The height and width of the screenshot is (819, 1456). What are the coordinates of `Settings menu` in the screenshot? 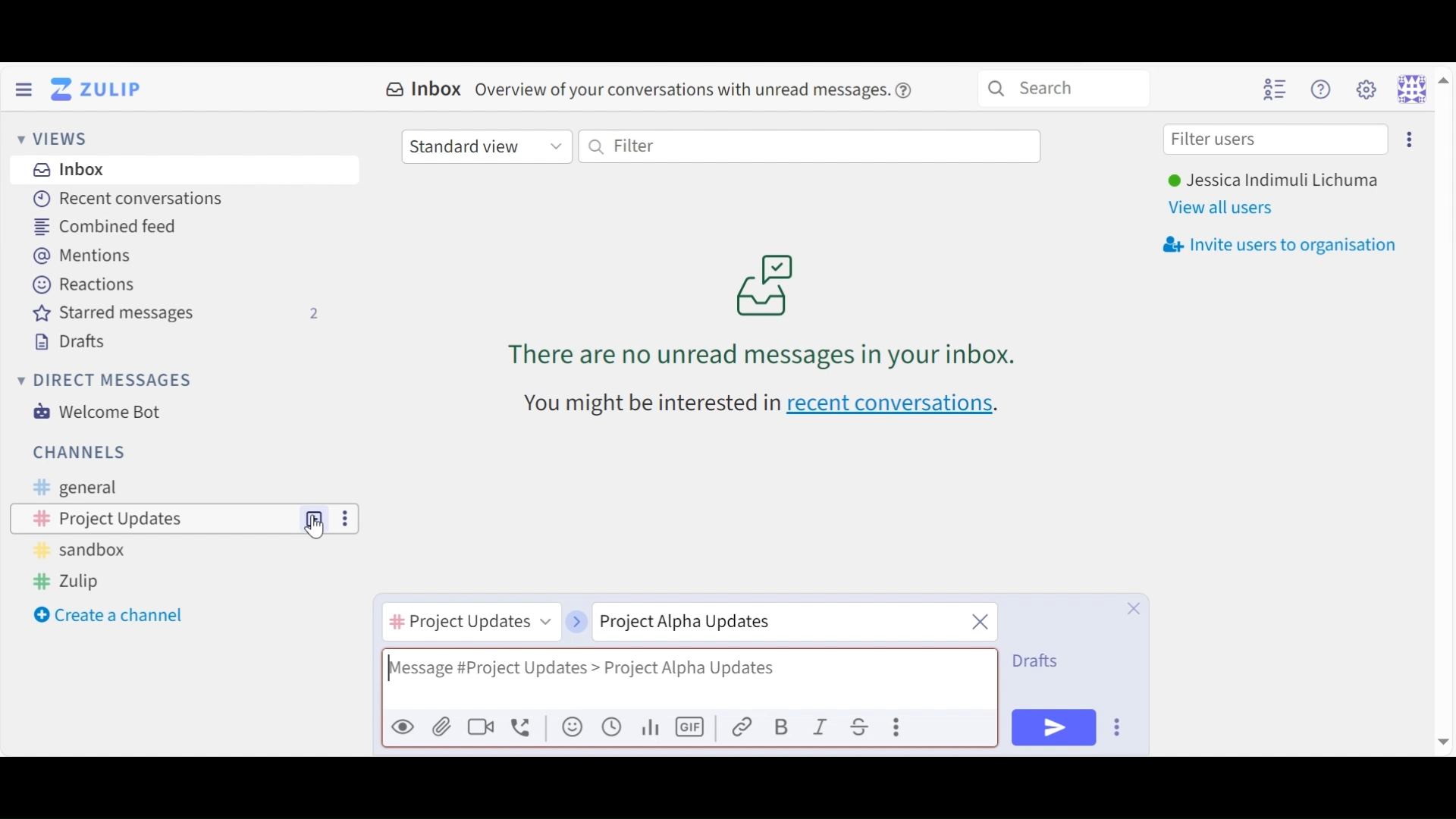 It's located at (1366, 88).